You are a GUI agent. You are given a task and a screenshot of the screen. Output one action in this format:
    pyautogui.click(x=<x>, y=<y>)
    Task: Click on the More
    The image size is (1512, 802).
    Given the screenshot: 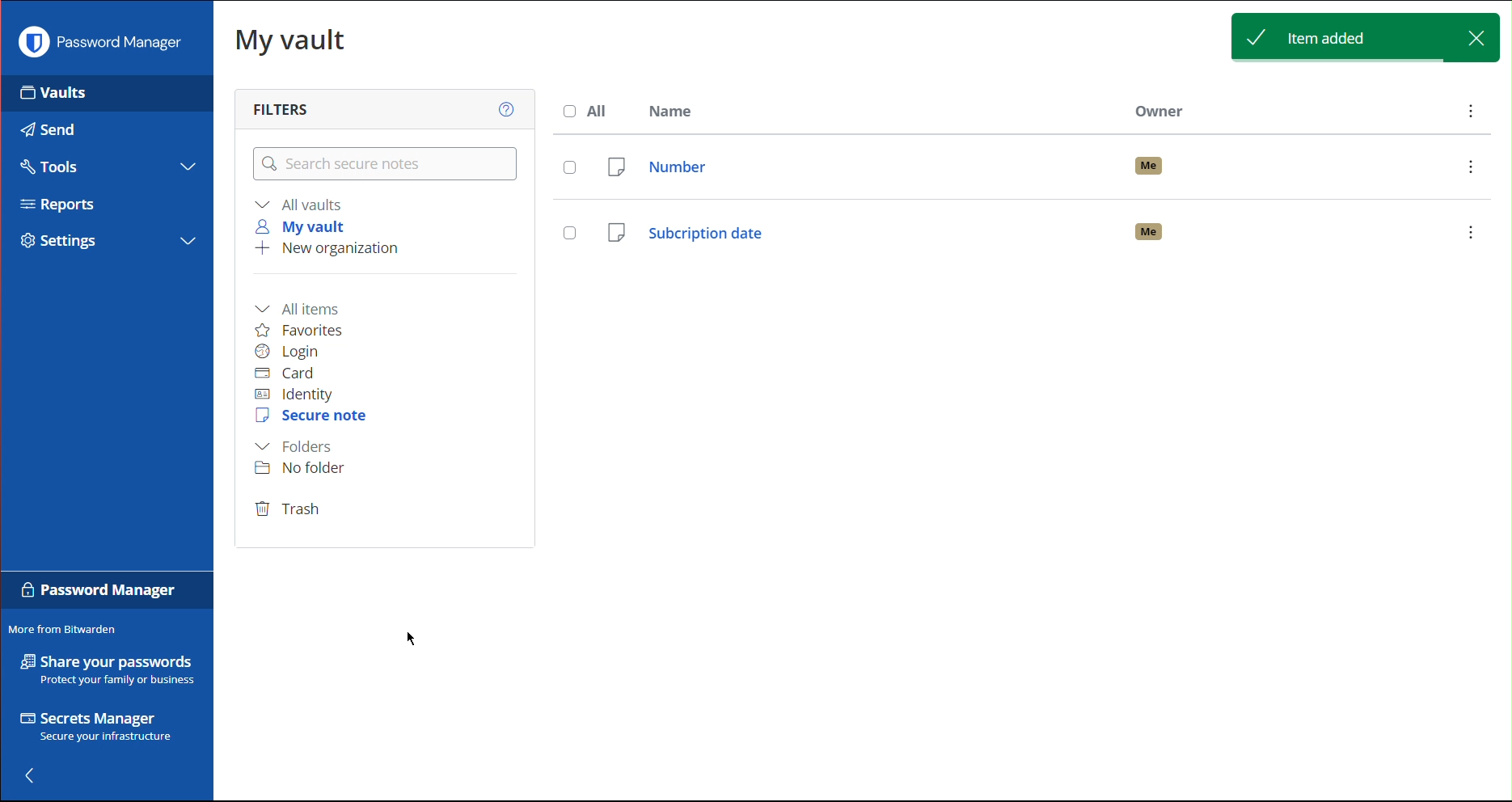 What is the action you would take?
    pyautogui.click(x=1472, y=113)
    